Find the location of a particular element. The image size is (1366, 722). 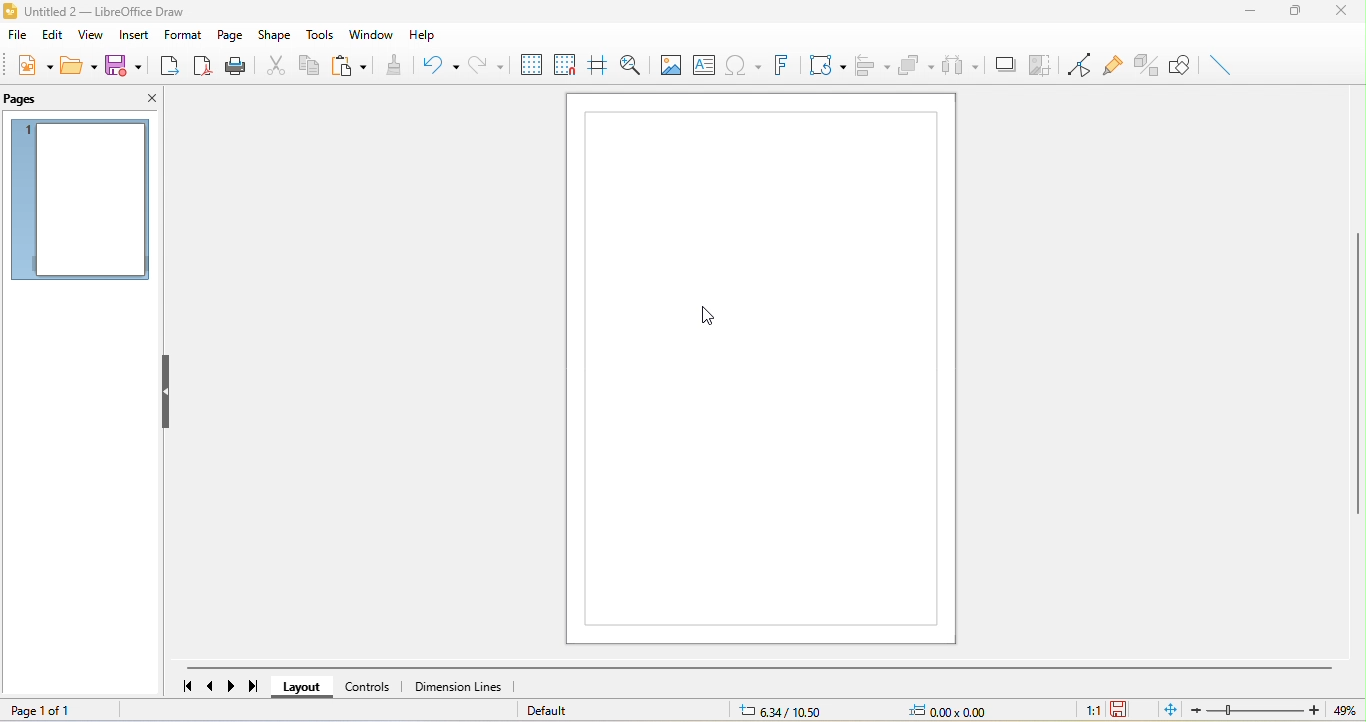

print is located at coordinates (237, 65).